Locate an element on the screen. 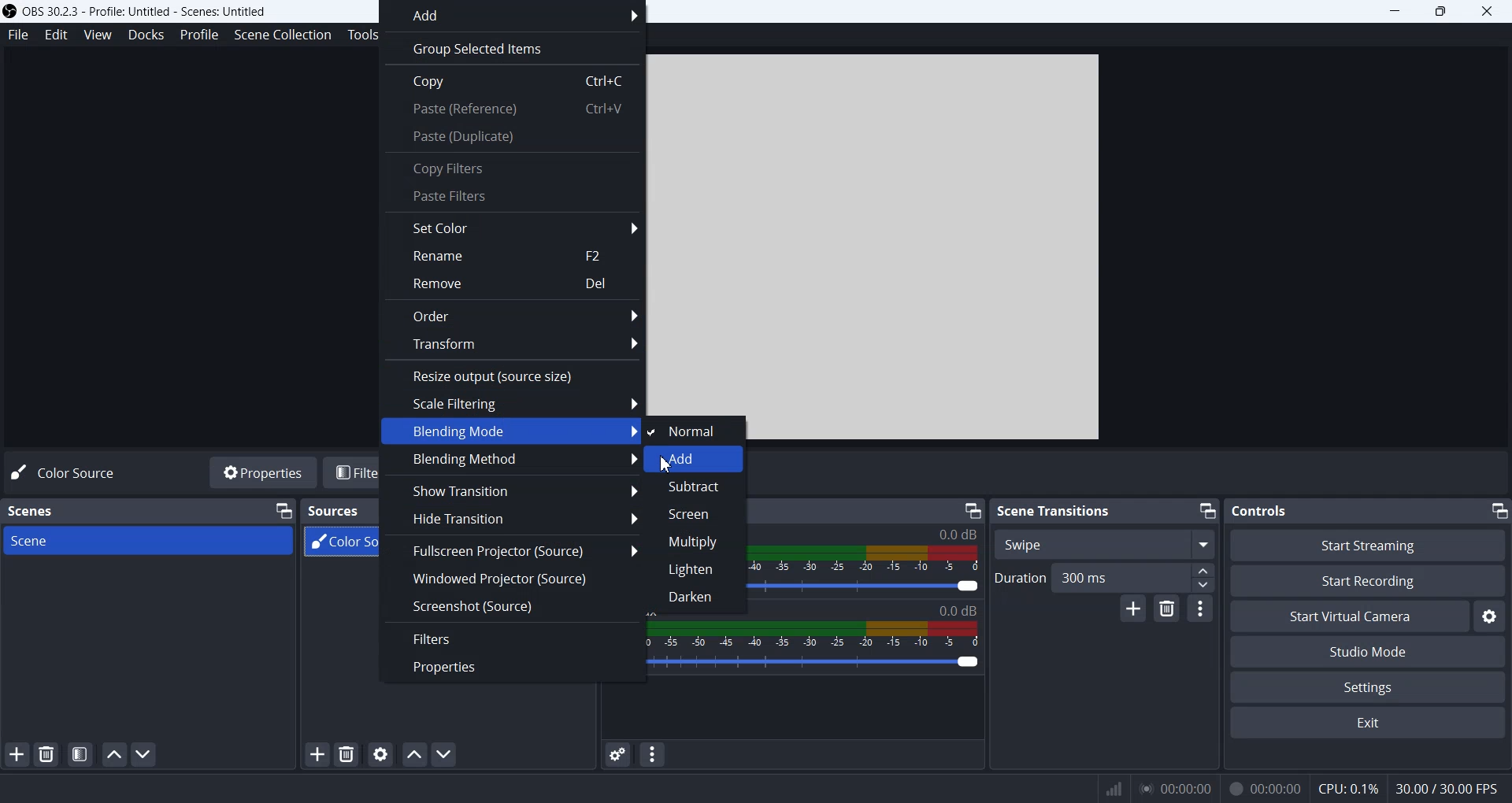  Start Recording is located at coordinates (1369, 580).